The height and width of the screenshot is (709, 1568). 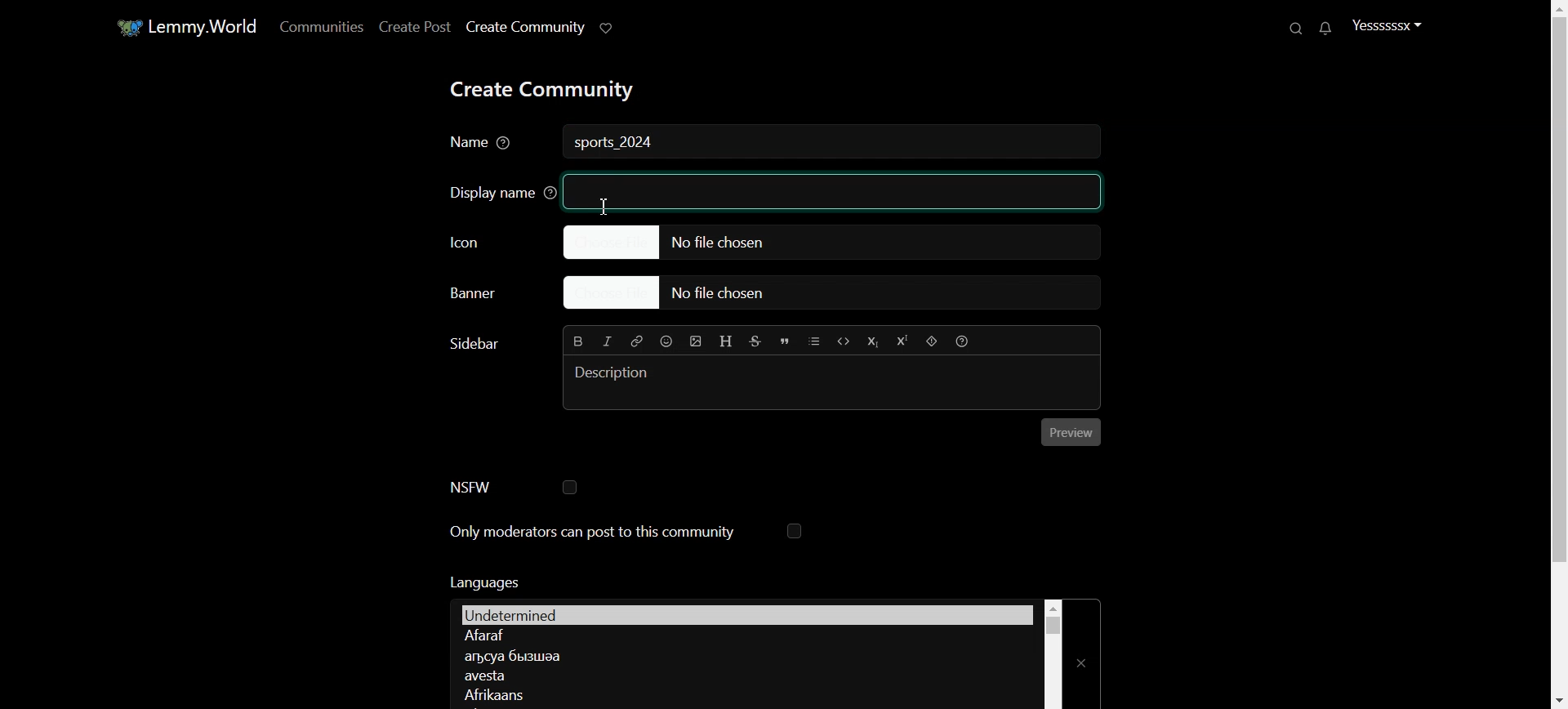 I want to click on Preview, so click(x=1071, y=432).